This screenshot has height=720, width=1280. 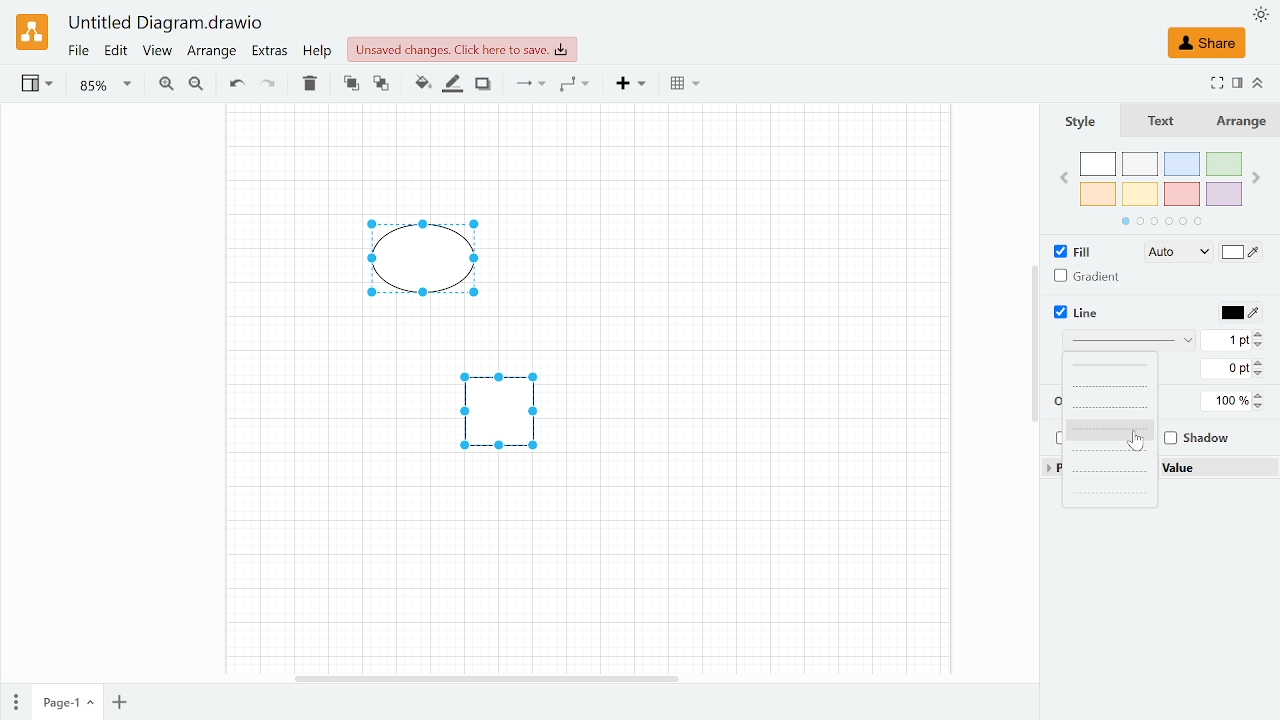 I want to click on Fill color, so click(x=420, y=86).